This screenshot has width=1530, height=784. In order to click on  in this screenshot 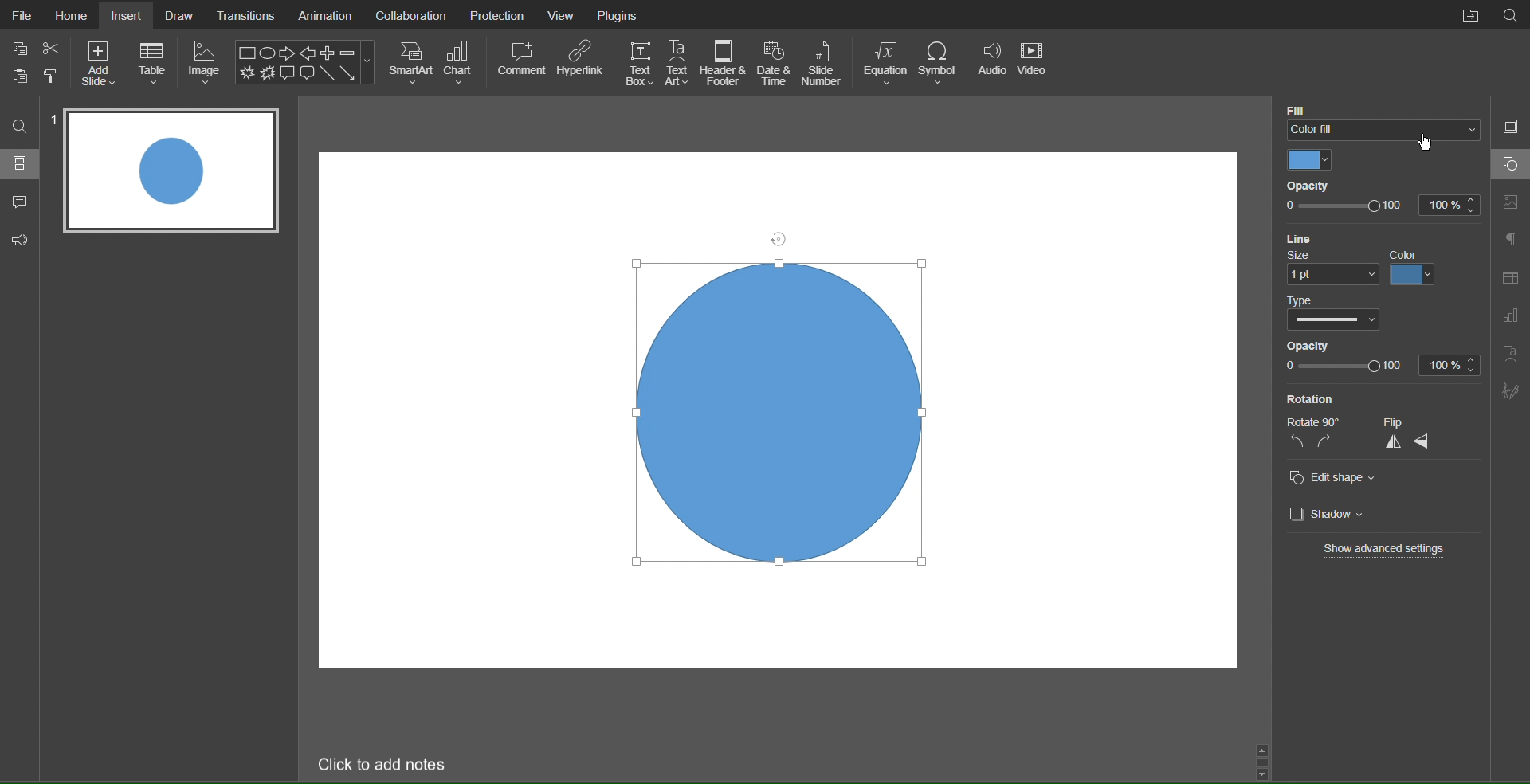, I will do `click(1314, 421)`.